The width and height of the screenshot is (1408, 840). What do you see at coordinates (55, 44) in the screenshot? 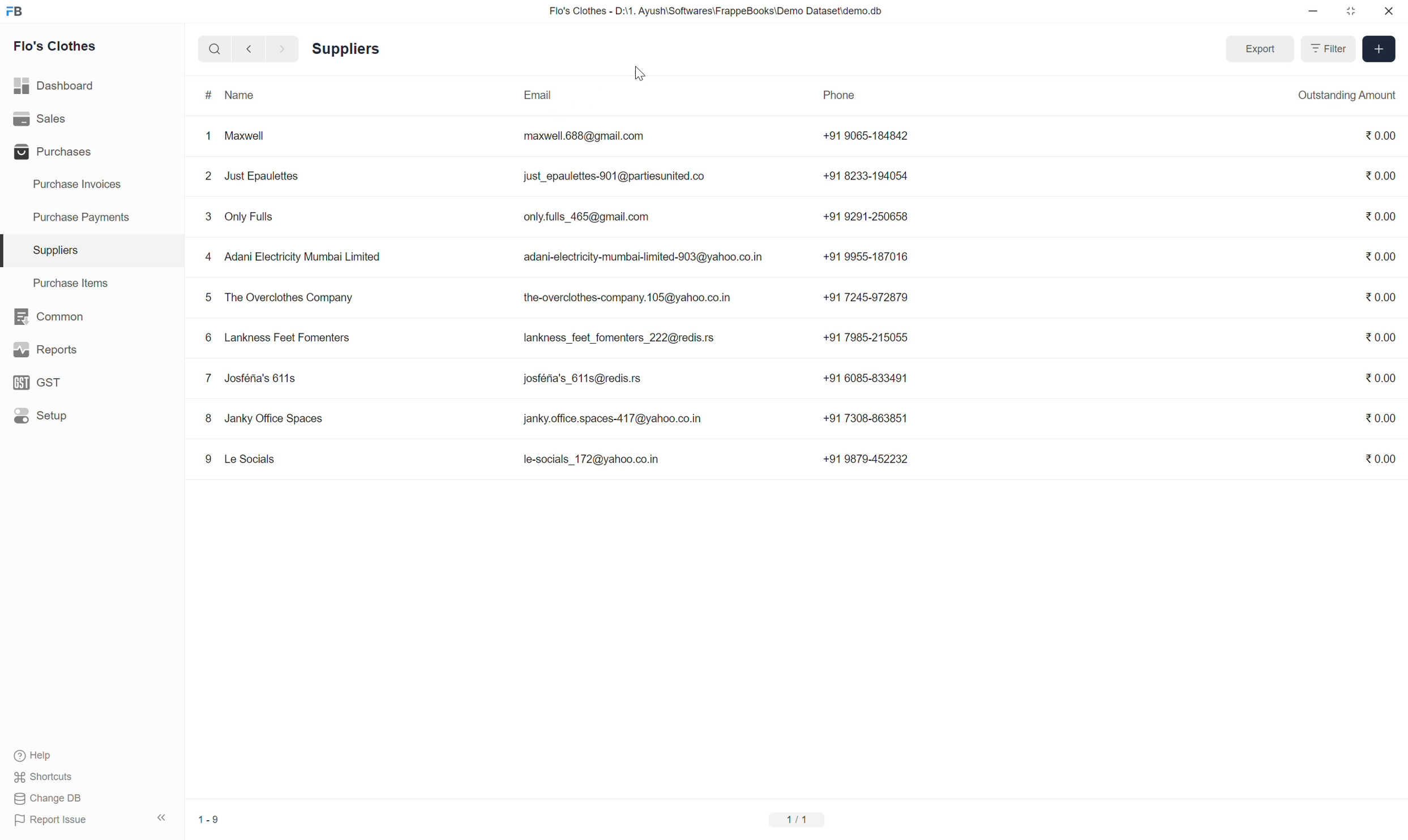
I see `Flo's Clothes` at bounding box center [55, 44].